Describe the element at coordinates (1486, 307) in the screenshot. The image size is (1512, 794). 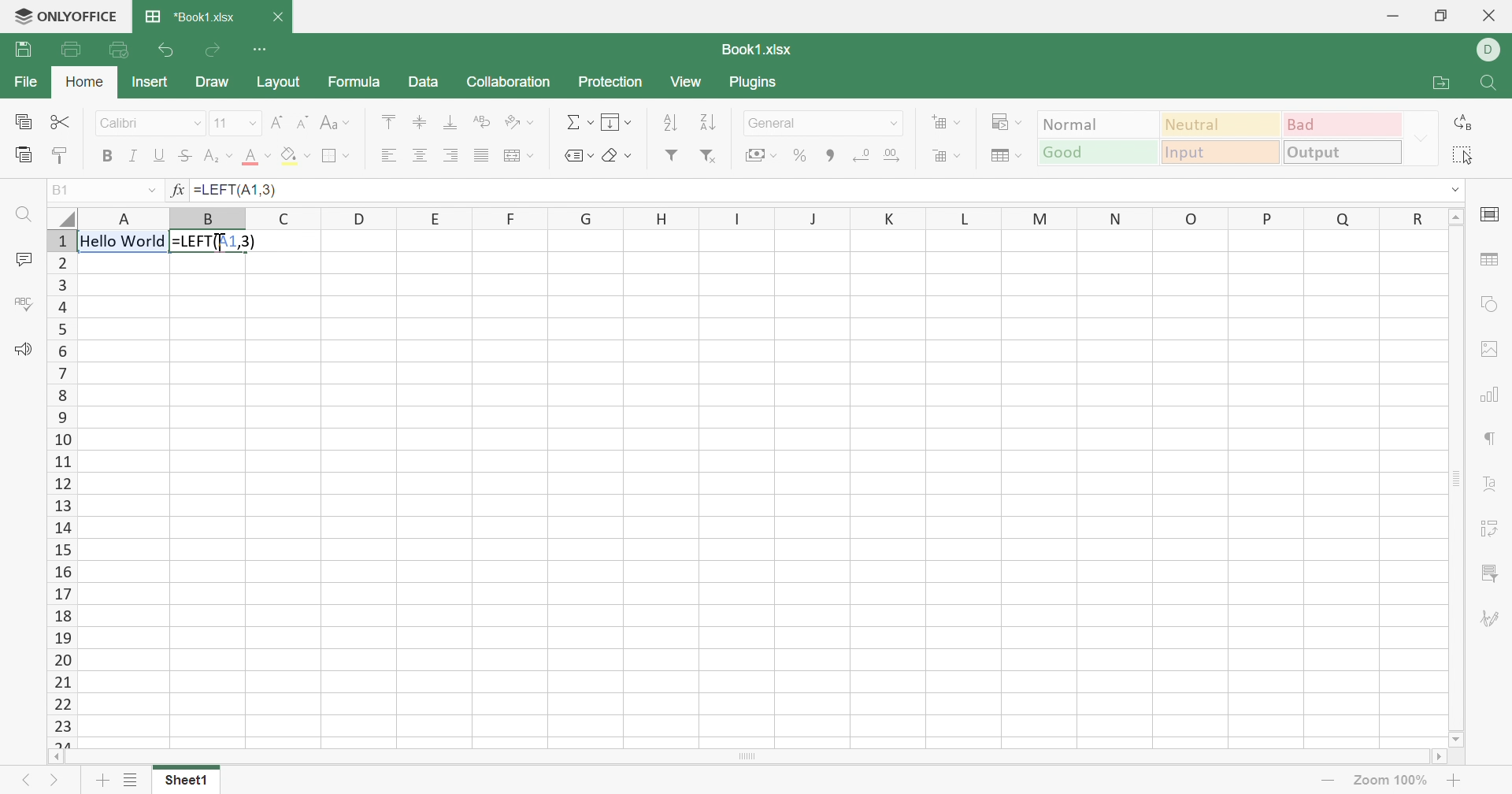
I see `Shape settings` at that location.